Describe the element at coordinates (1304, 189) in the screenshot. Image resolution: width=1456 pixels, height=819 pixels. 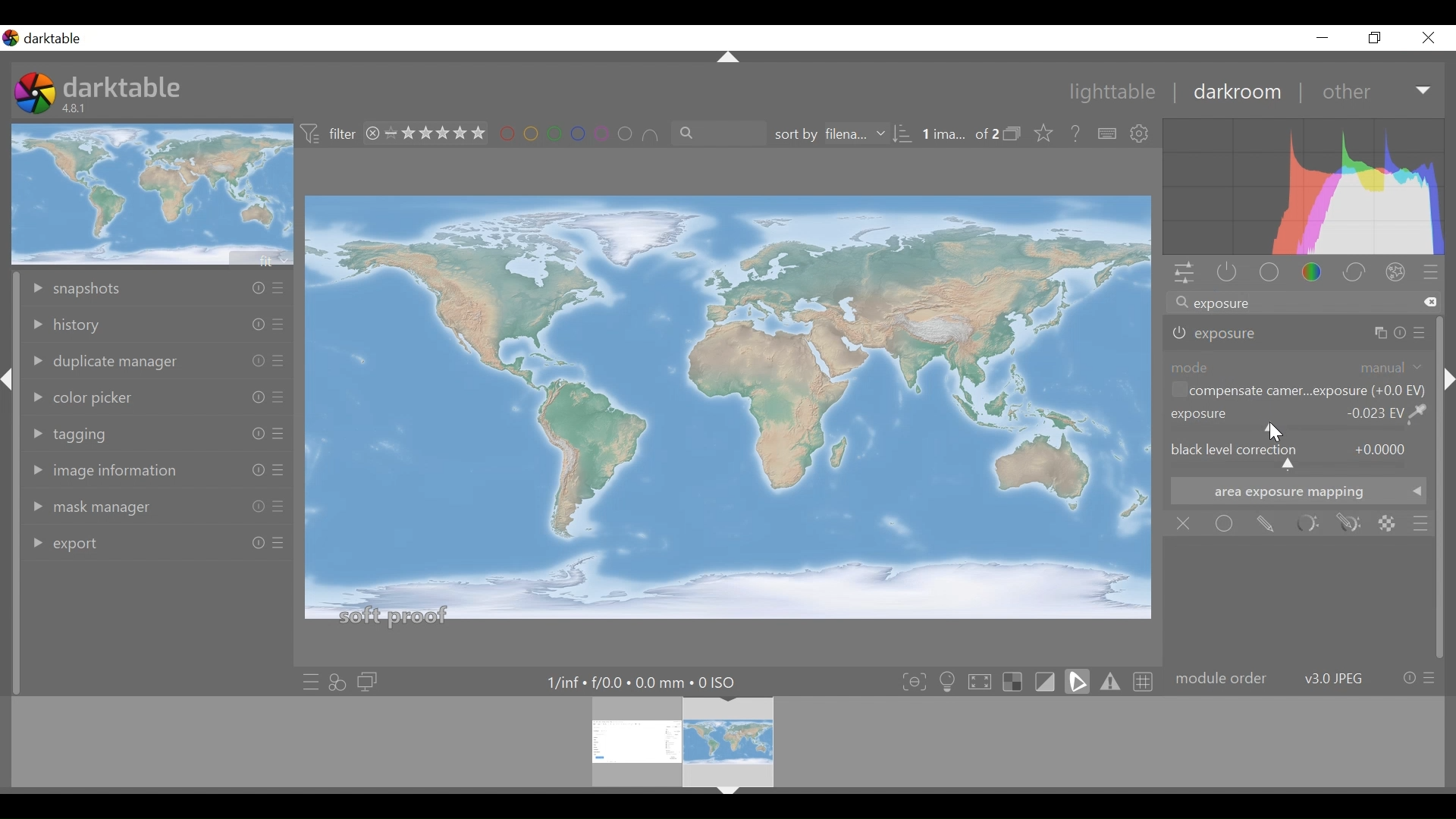
I see `histogram` at that location.